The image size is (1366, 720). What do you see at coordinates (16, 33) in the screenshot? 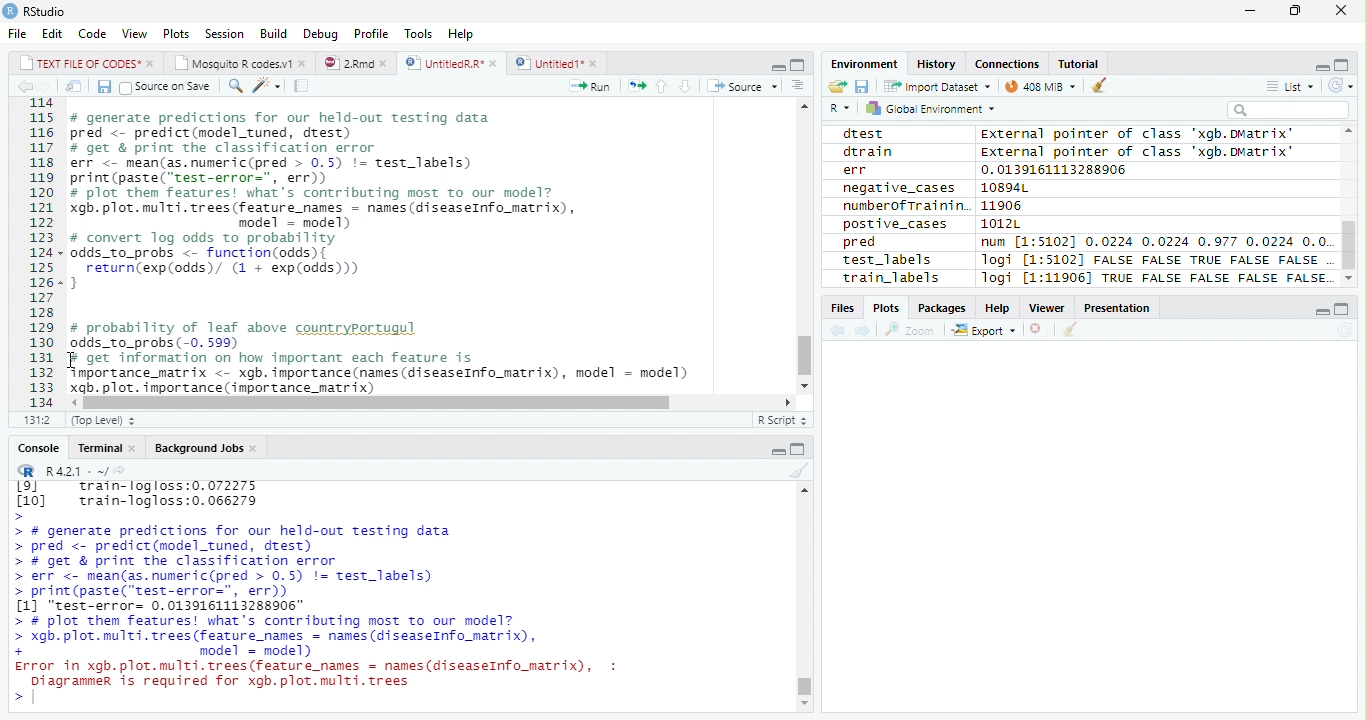
I see `File` at bounding box center [16, 33].